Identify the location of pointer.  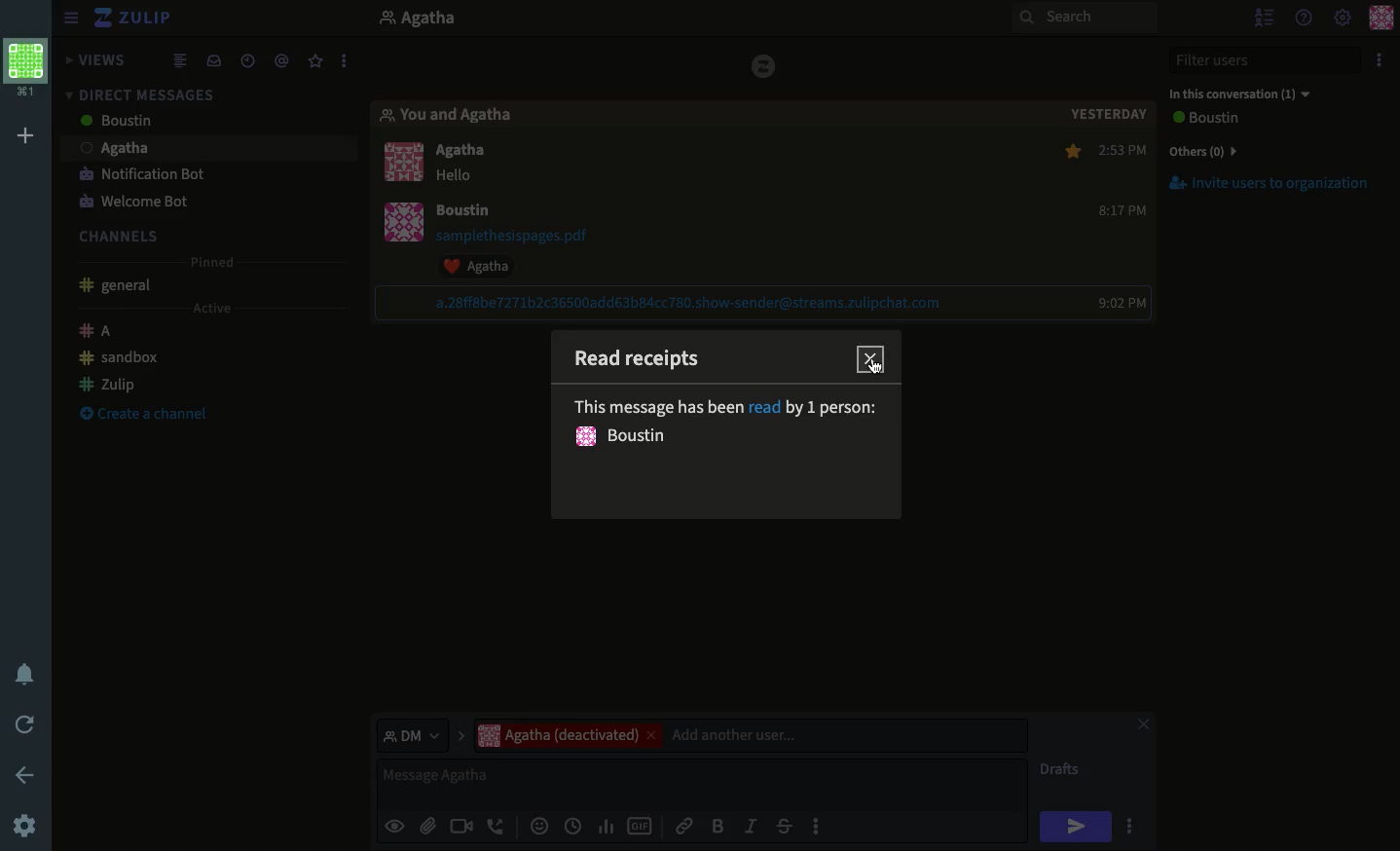
(871, 370).